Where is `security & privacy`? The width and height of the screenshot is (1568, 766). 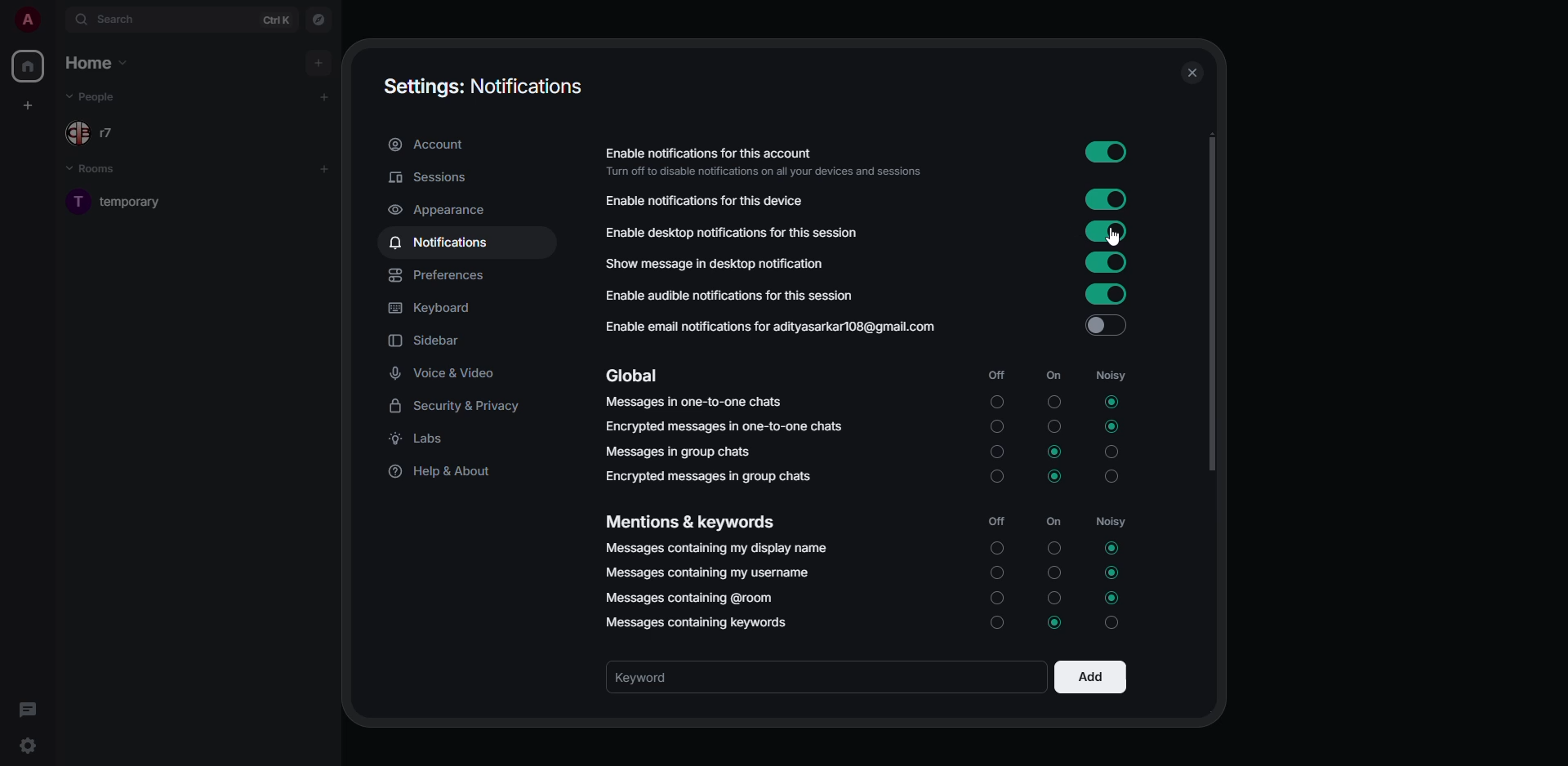 security & privacy is located at coordinates (457, 407).